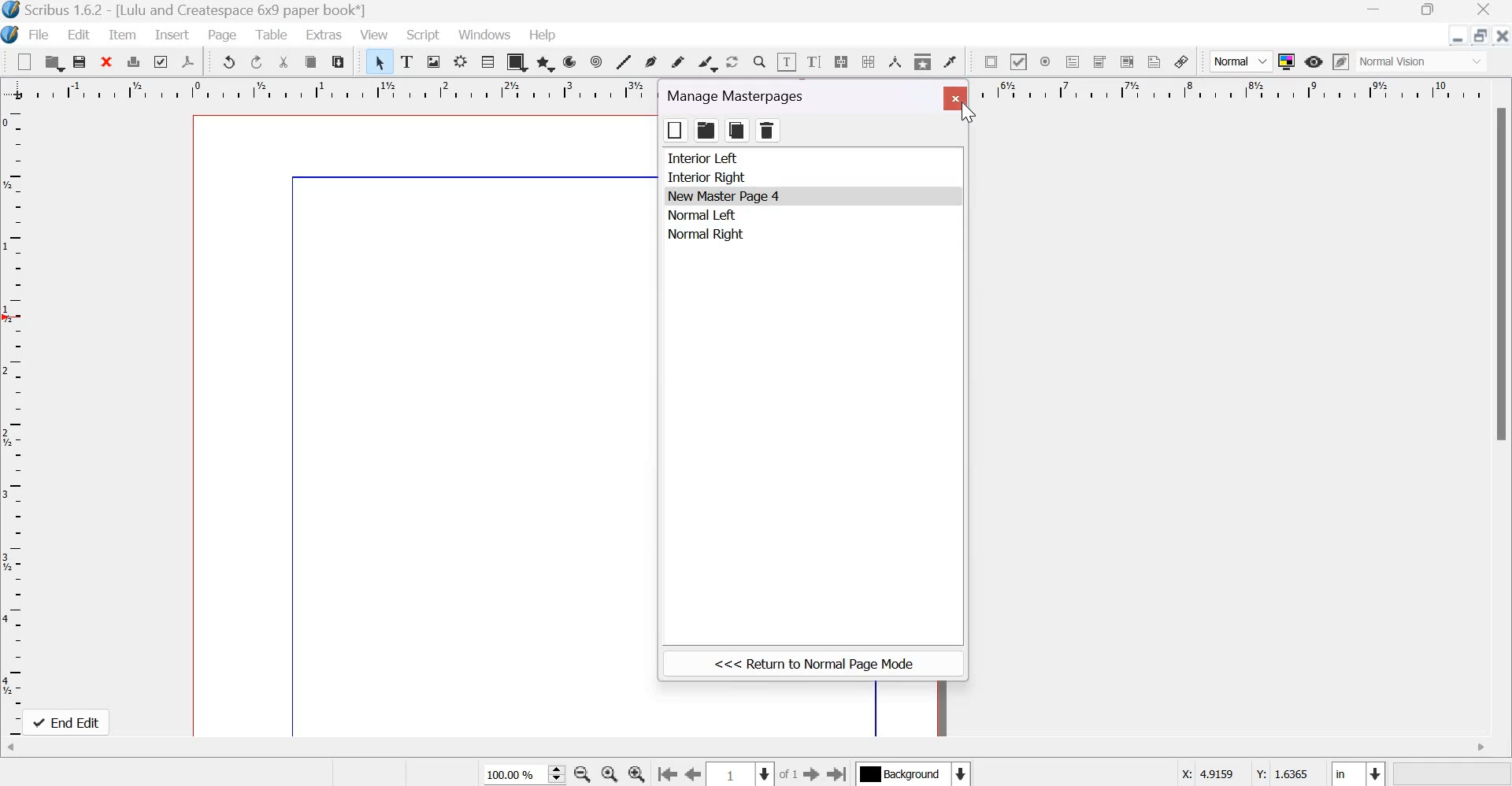 The image size is (1512, 786). Describe the element at coordinates (13, 748) in the screenshot. I see `scroll left` at that location.